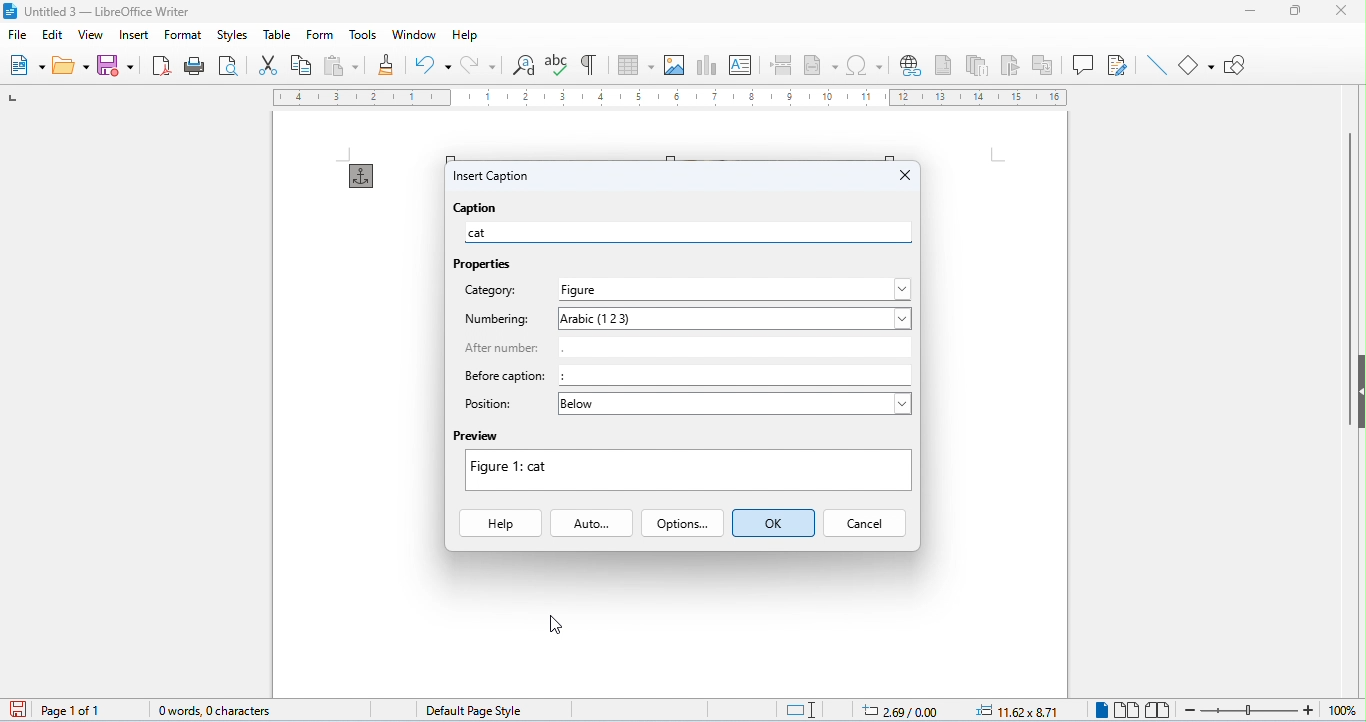 The height and width of the screenshot is (722, 1366). Describe the element at coordinates (742, 66) in the screenshot. I see `insert text box` at that location.